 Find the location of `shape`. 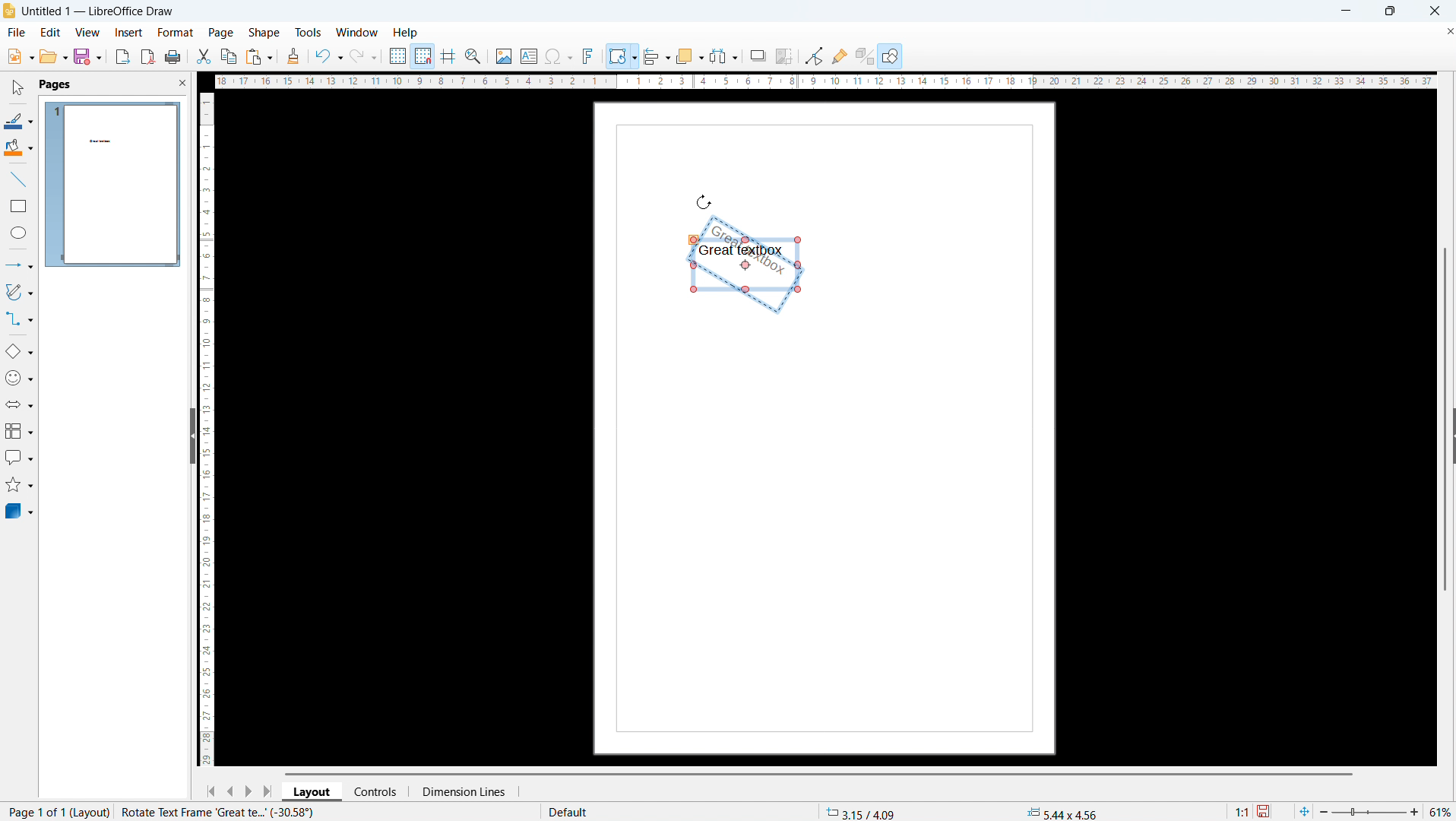

shape is located at coordinates (264, 33).